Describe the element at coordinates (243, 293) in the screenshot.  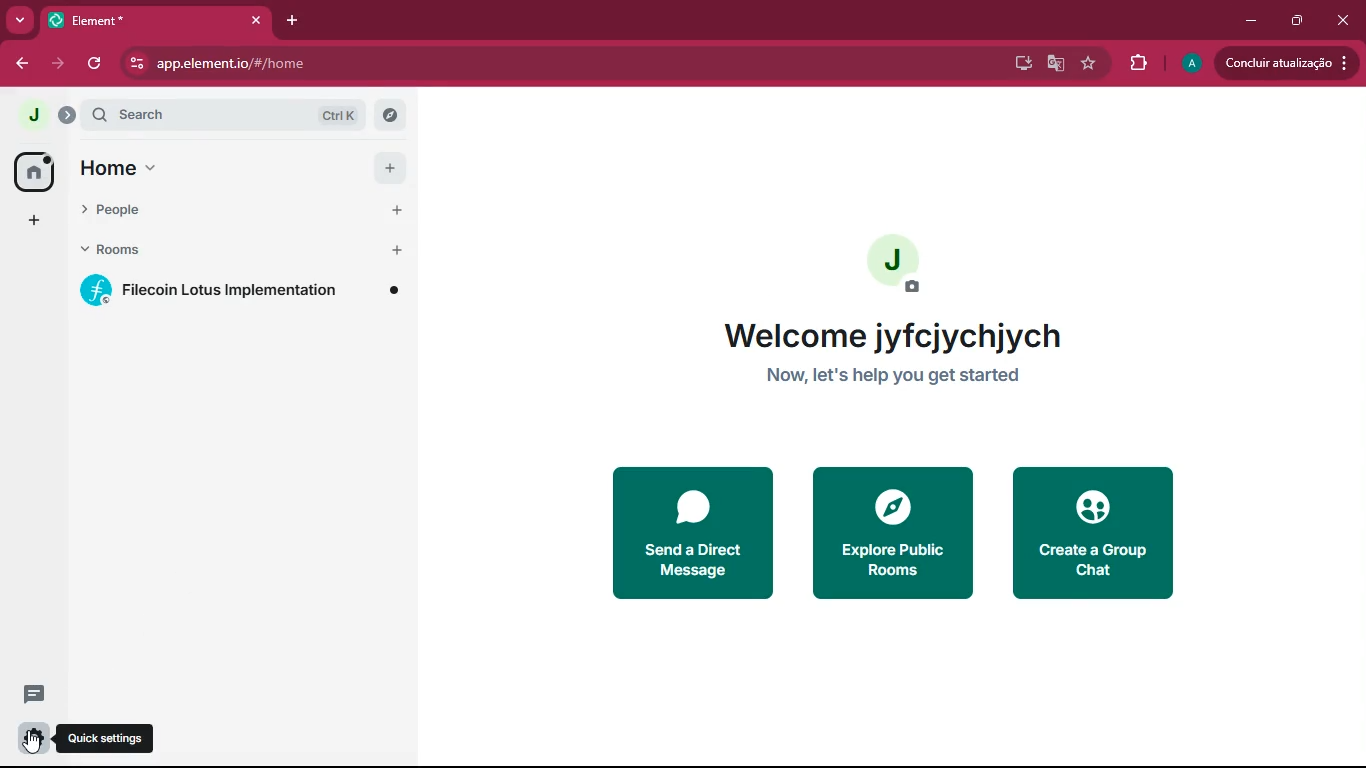
I see `filecoin lotus implementation` at that location.